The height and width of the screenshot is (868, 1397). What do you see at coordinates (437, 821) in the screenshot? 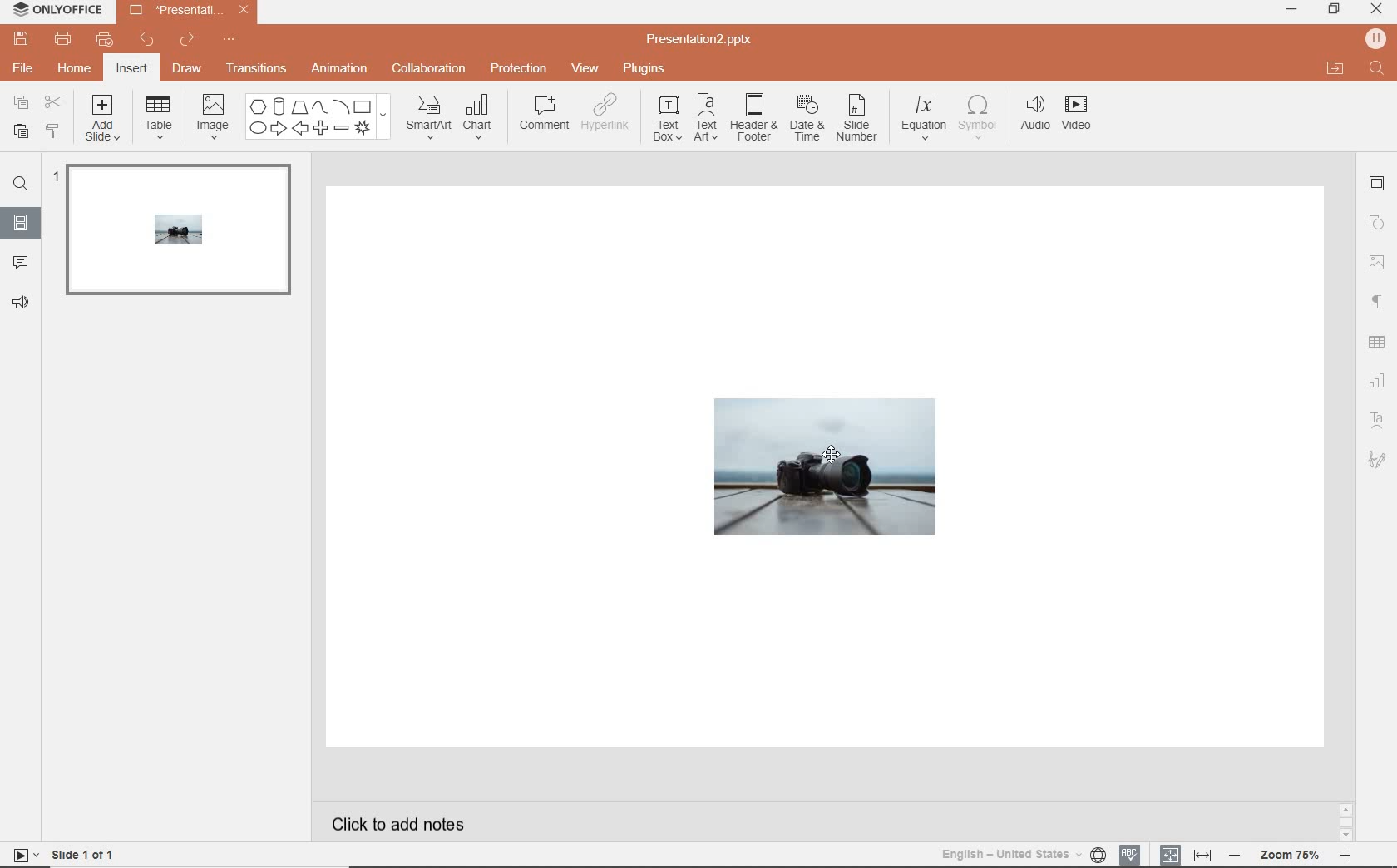
I see `click to add notes` at bounding box center [437, 821].